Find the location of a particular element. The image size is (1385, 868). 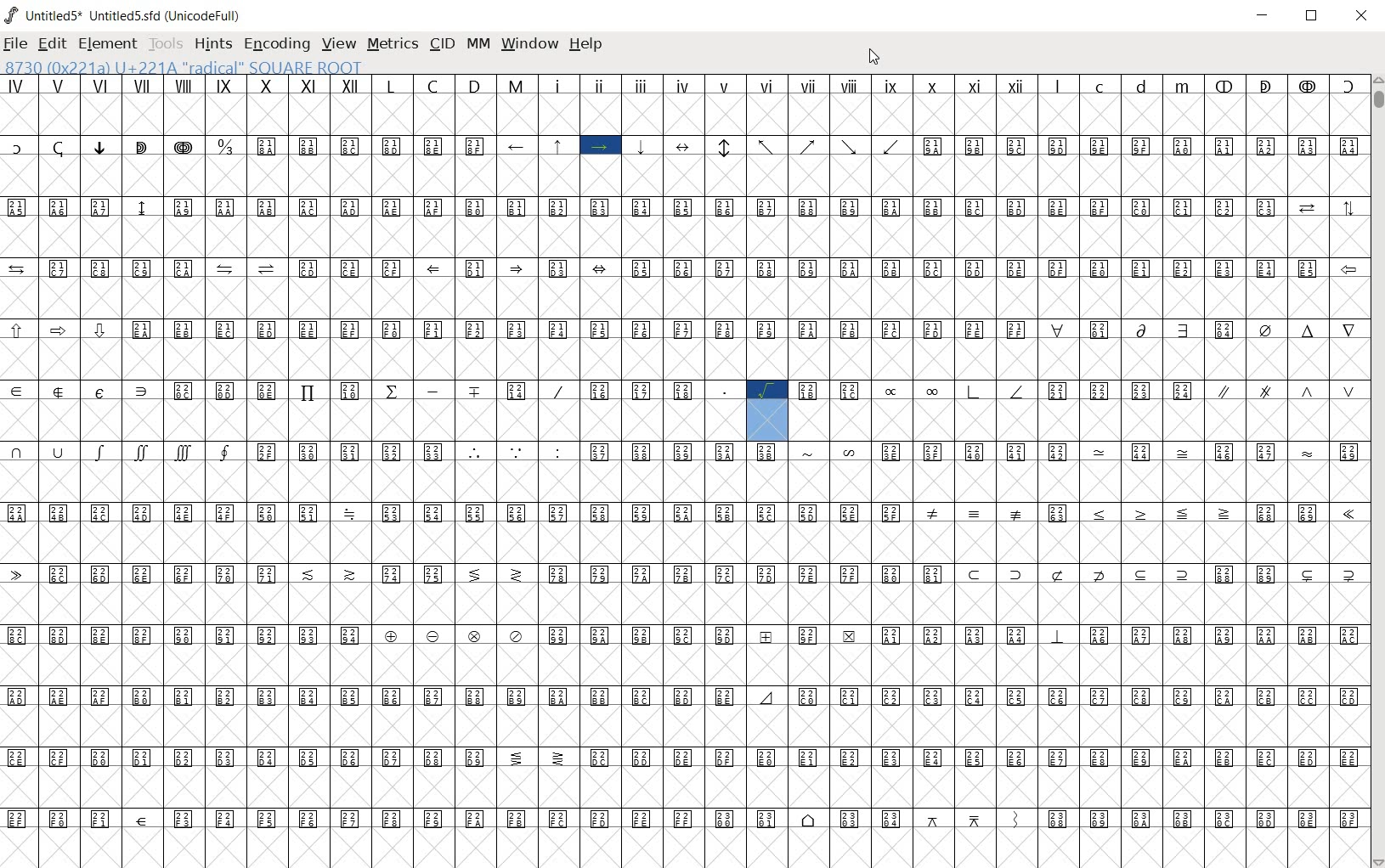

VIEW is located at coordinates (339, 43).